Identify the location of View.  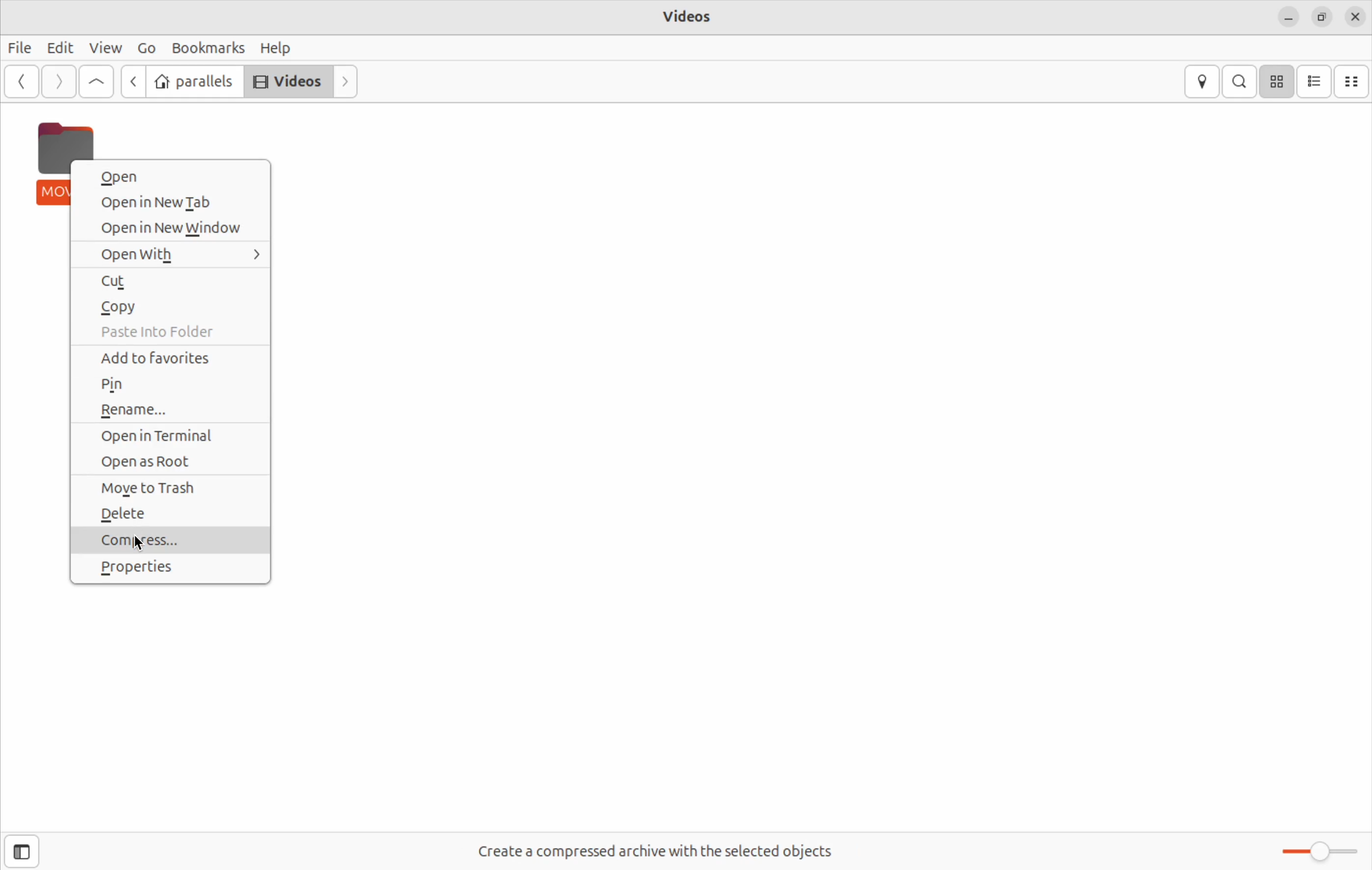
(103, 48).